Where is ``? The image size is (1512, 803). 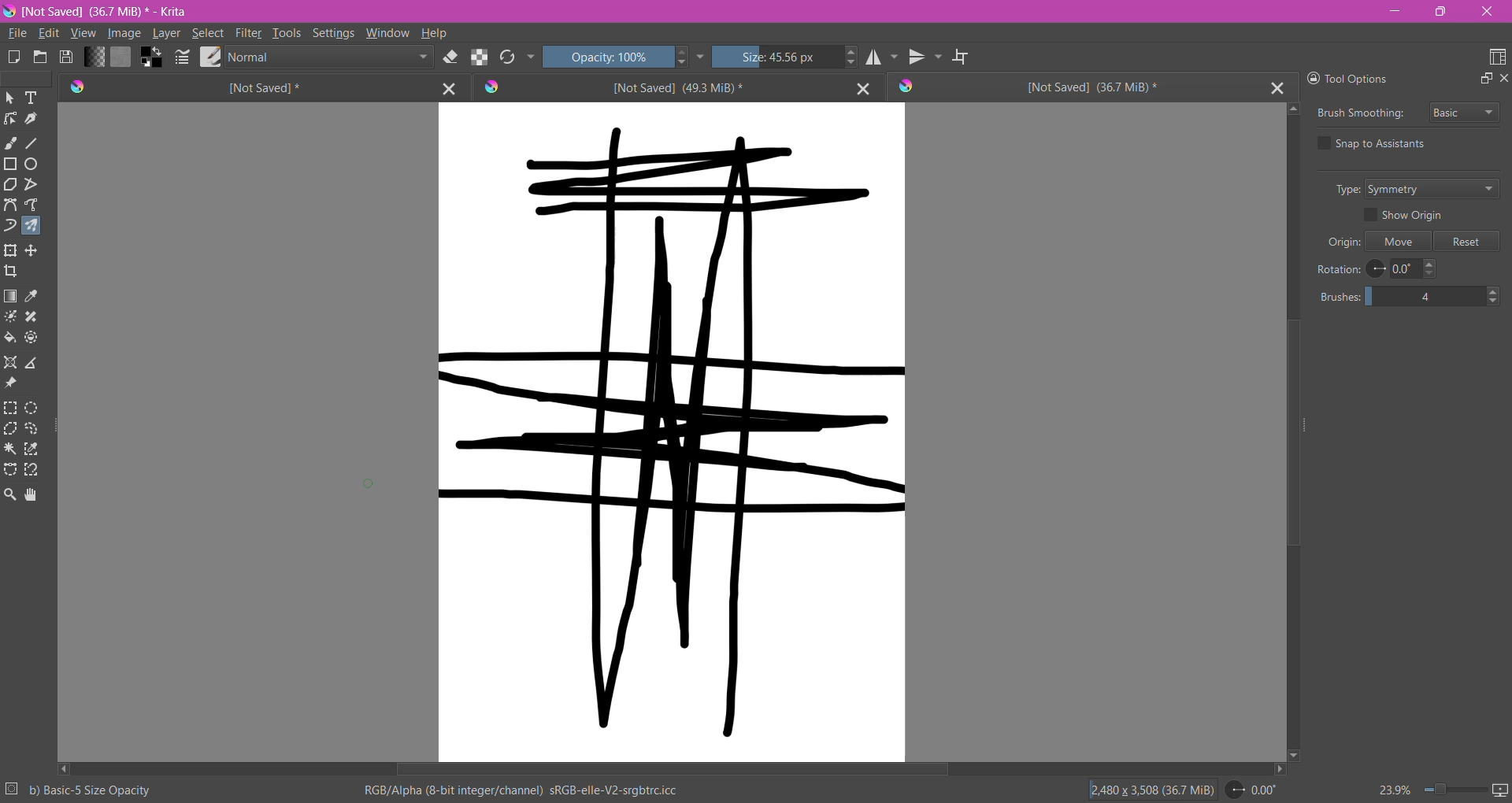  is located at coordinates (332, 34).